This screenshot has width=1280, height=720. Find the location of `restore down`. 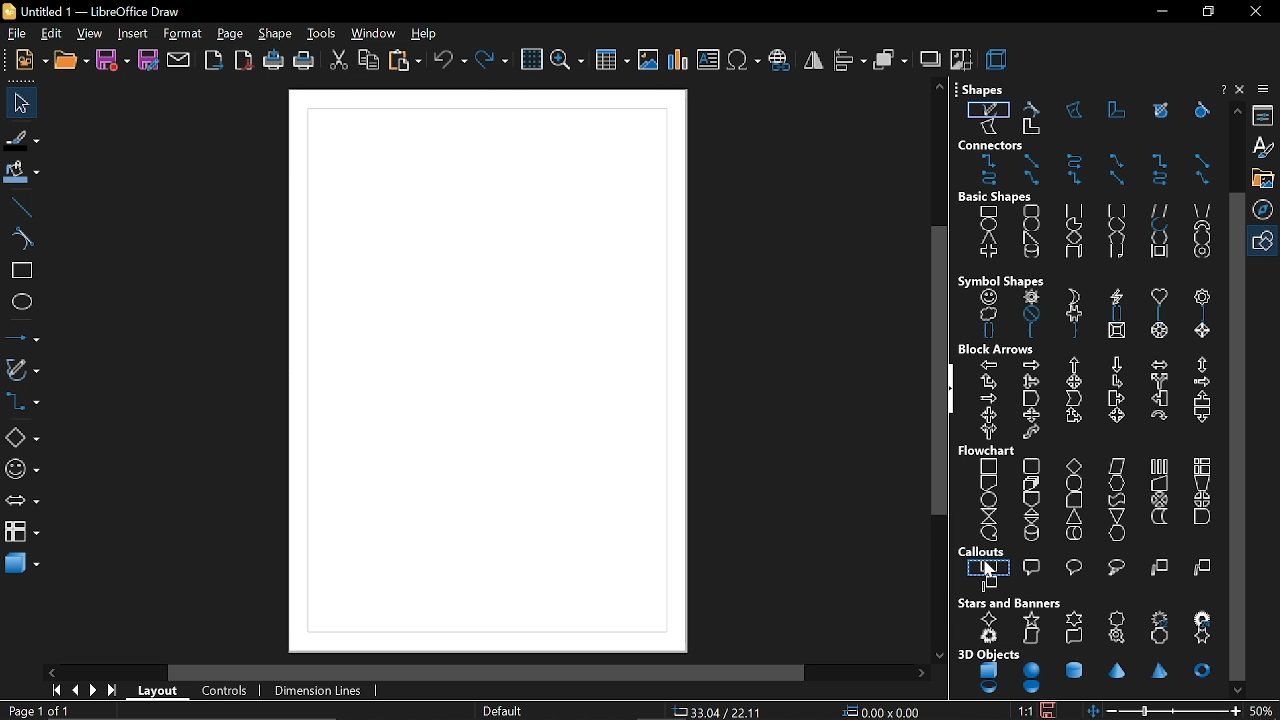

restore down is located at coordinates (1206, 12).